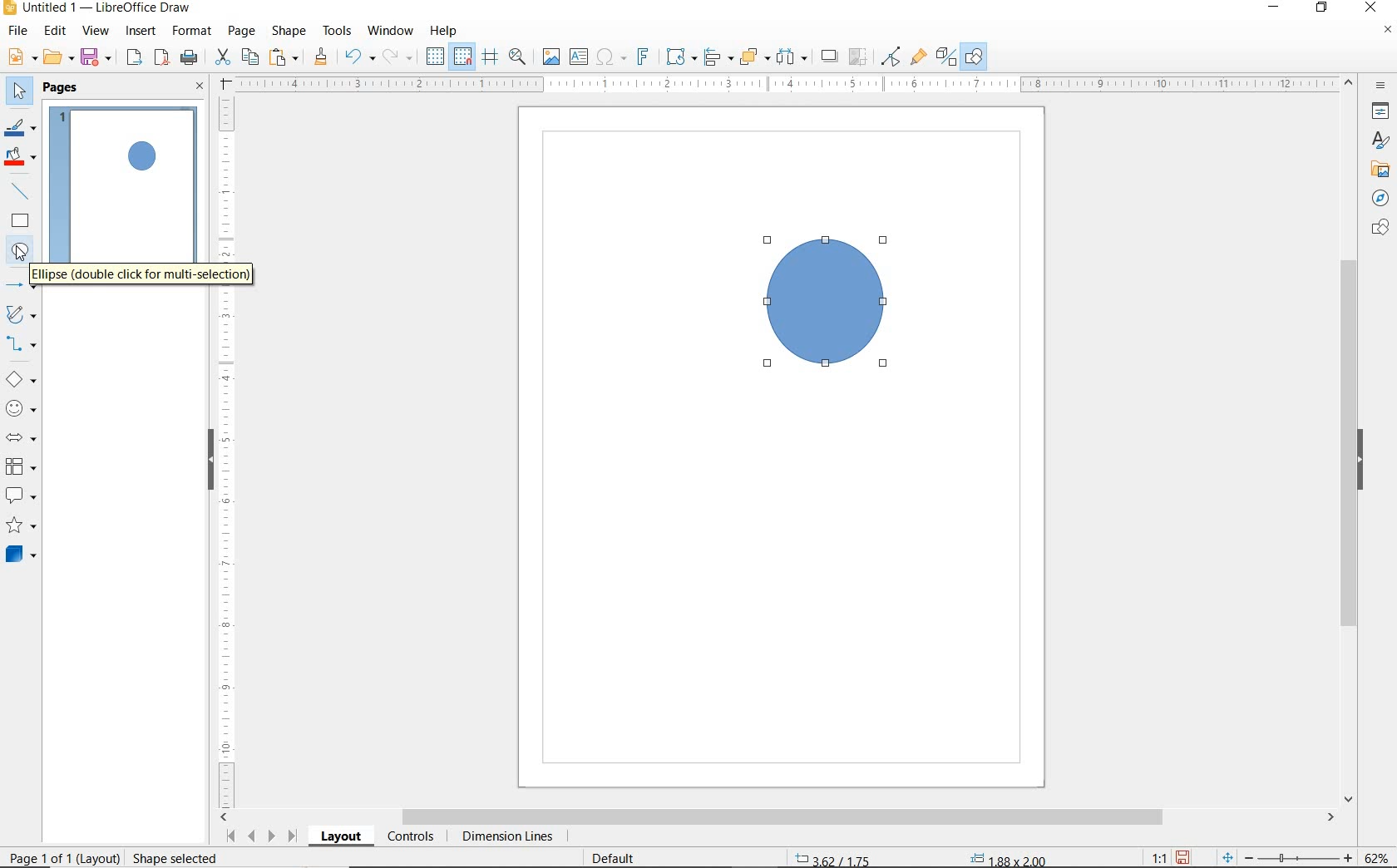  Describe the element at coordinates (144, 158) in the screenshot. I see `CIRCLE ADDED` at that location.